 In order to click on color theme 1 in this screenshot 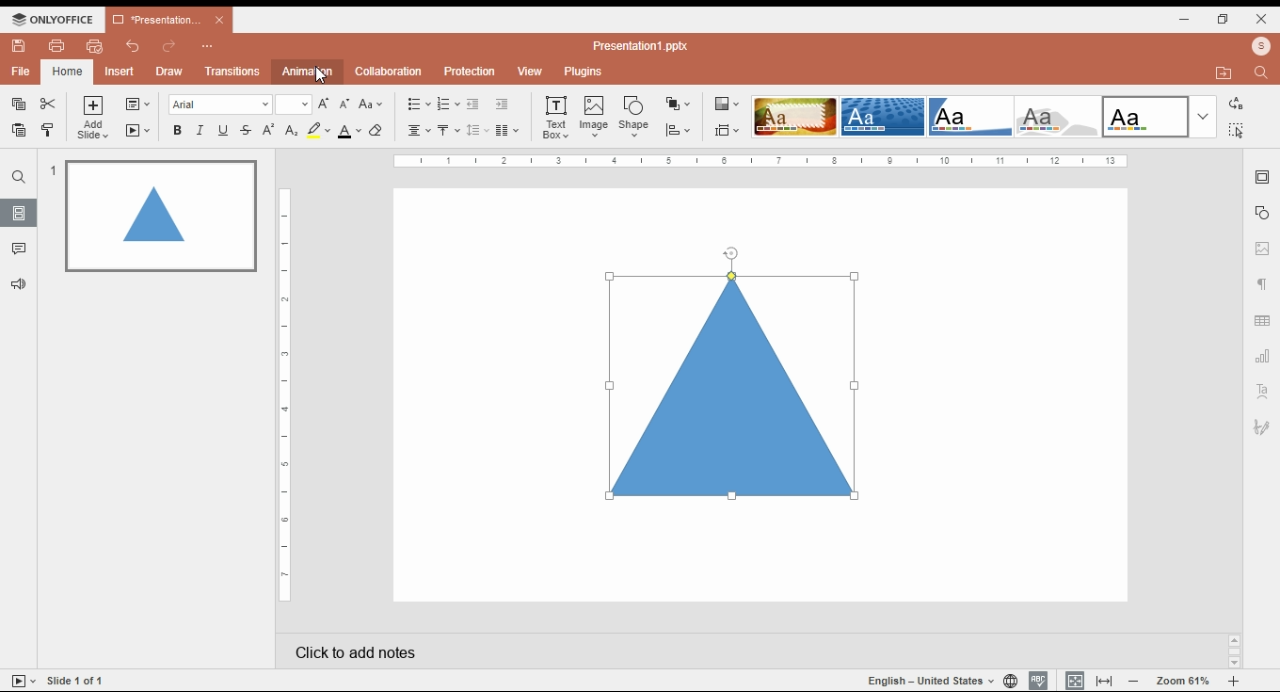, I will do `click(794, 116)`.